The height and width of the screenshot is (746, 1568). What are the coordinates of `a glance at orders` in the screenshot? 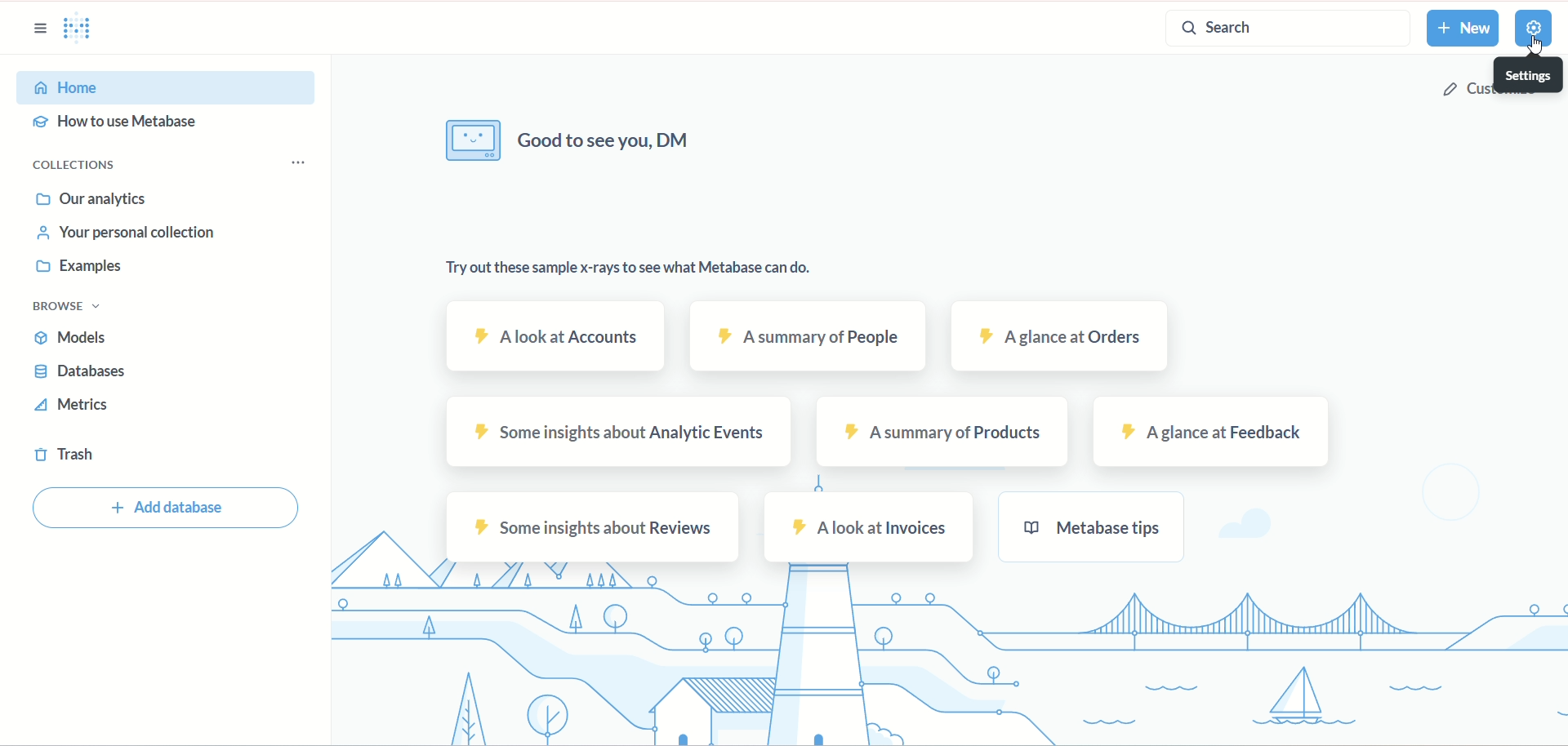 It's located at (1057, 338).